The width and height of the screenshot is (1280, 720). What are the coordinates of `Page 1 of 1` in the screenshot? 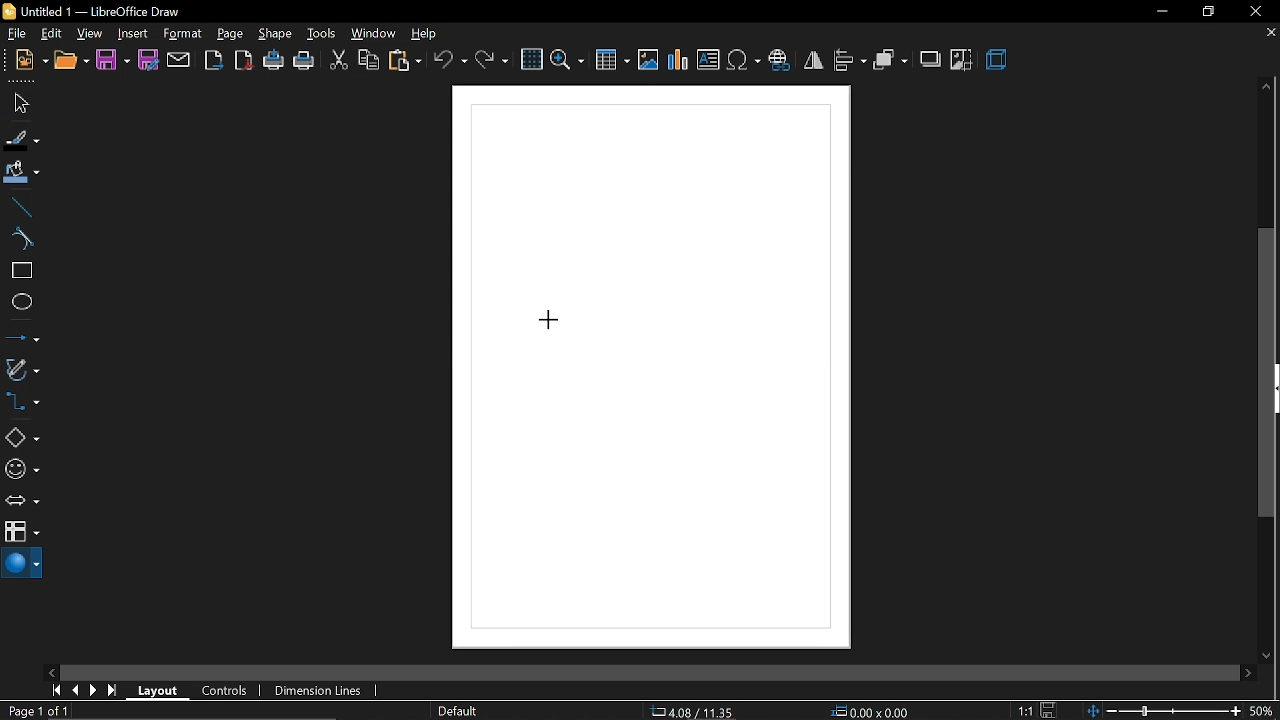 It's located at (35, 711).